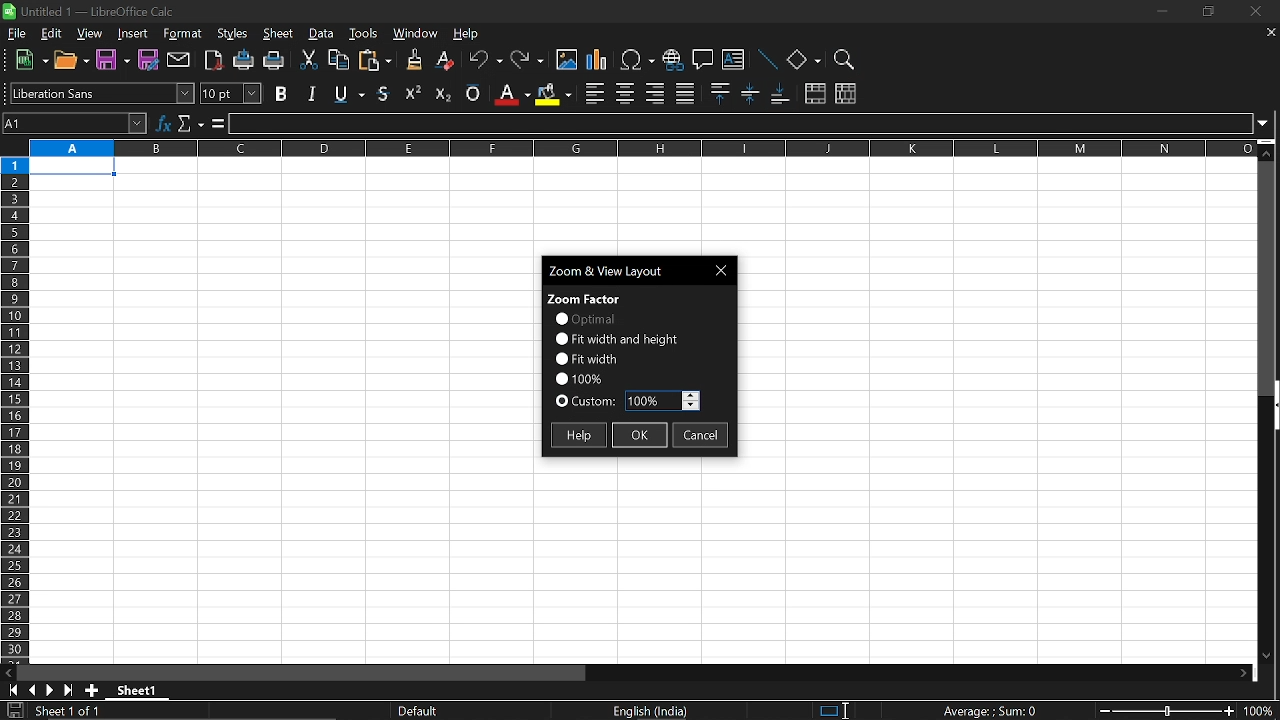  I want to click on export as pdf, so click(215, 62).